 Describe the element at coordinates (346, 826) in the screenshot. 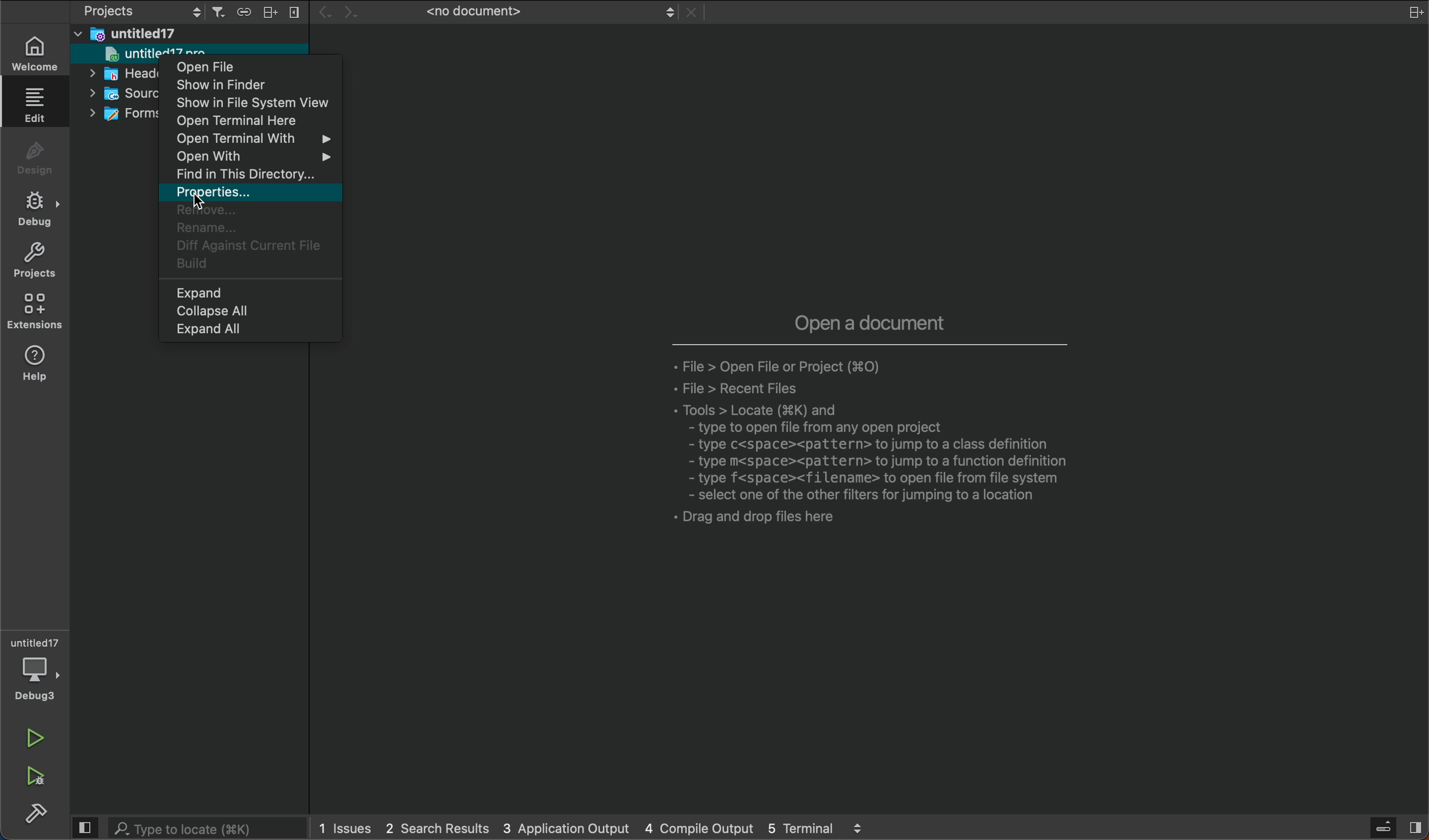

I see `issues` at that location.